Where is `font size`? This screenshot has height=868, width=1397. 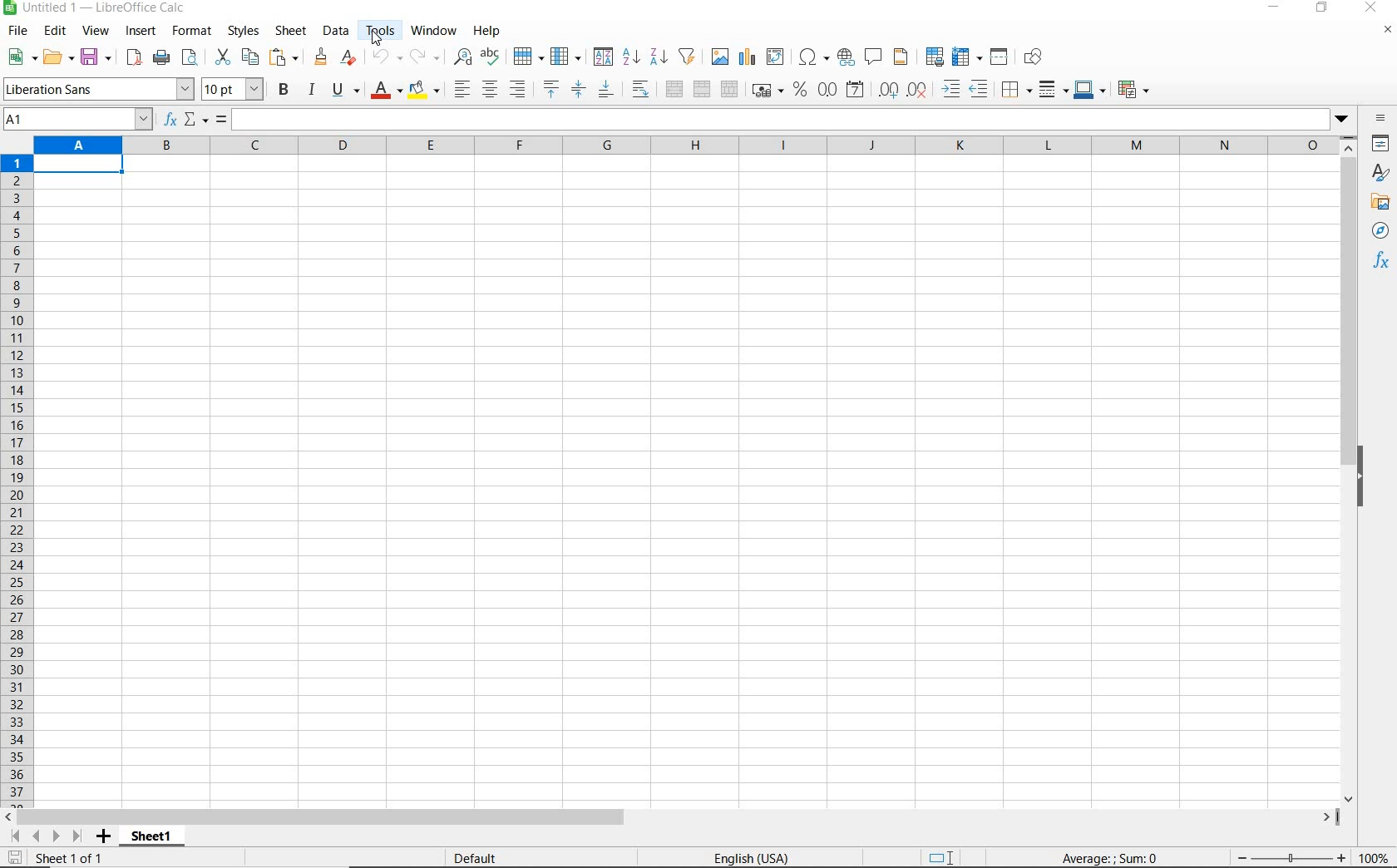
font size is located at coordinates (234, 89).